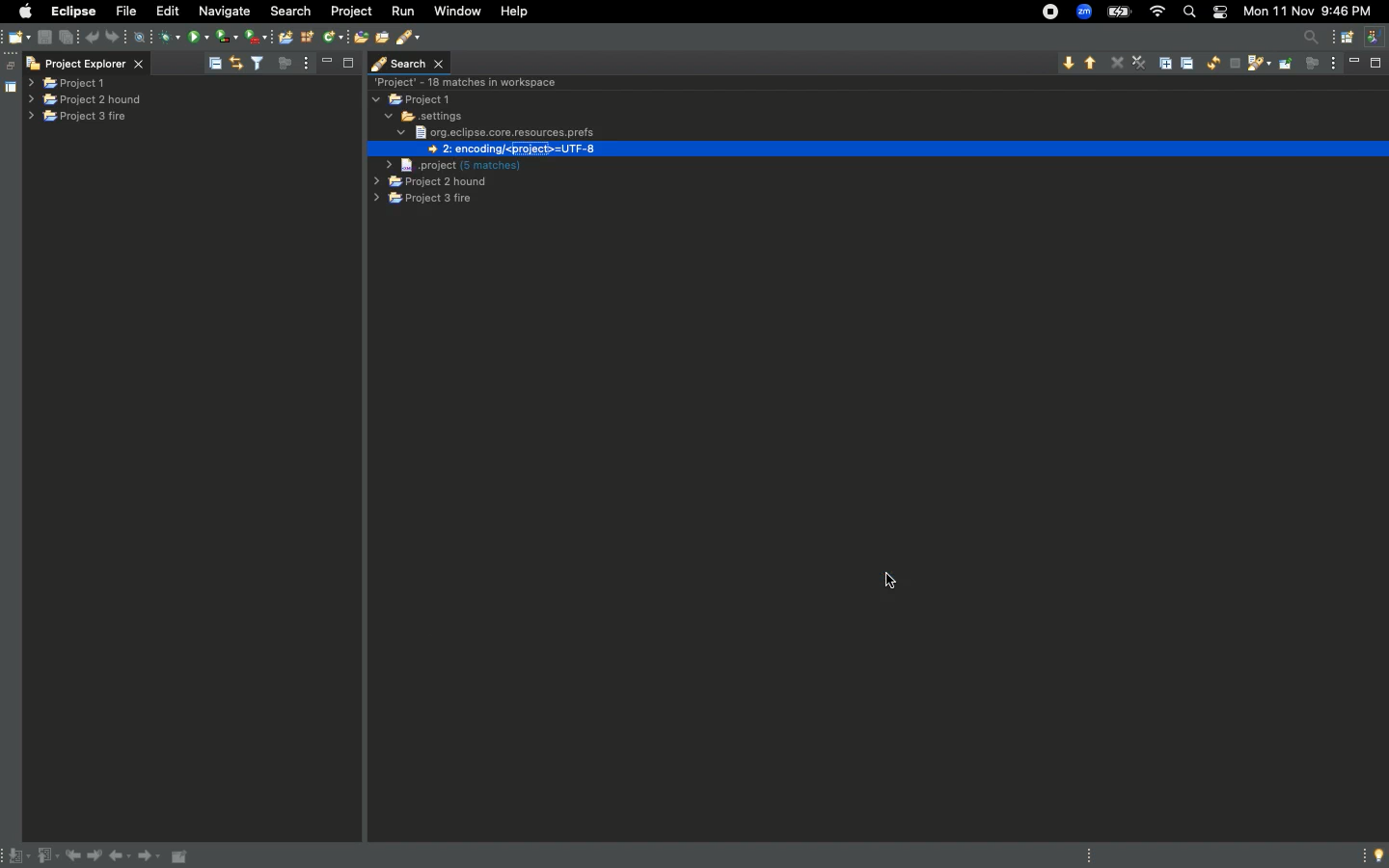 Image resolution: width=1389 pixels, height=868 pixels. Describe the element at coordinates (76, 856) in the screenshot. I see `Previous edit location` at that location.